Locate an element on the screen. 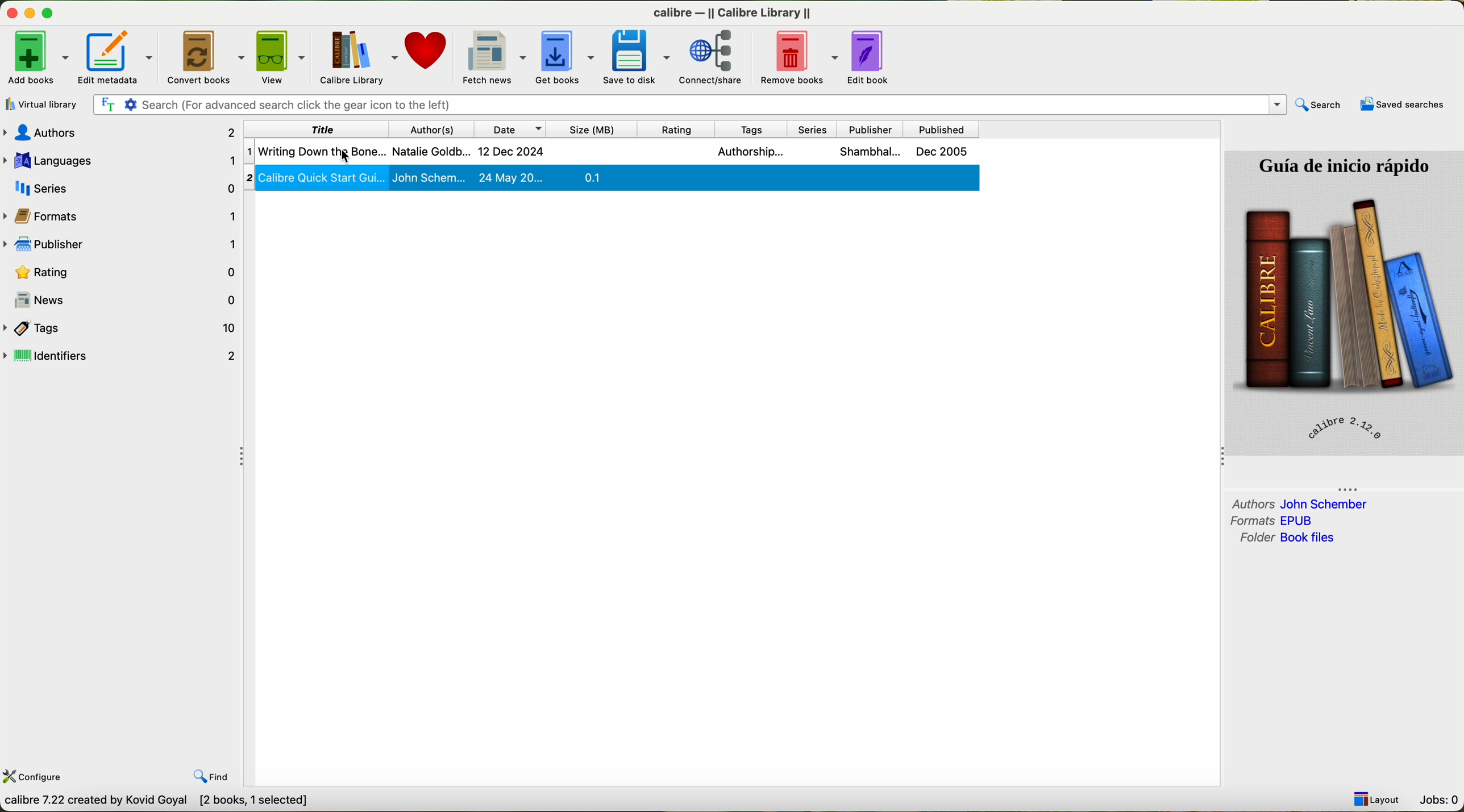  format is located at coordinates (57, 217).